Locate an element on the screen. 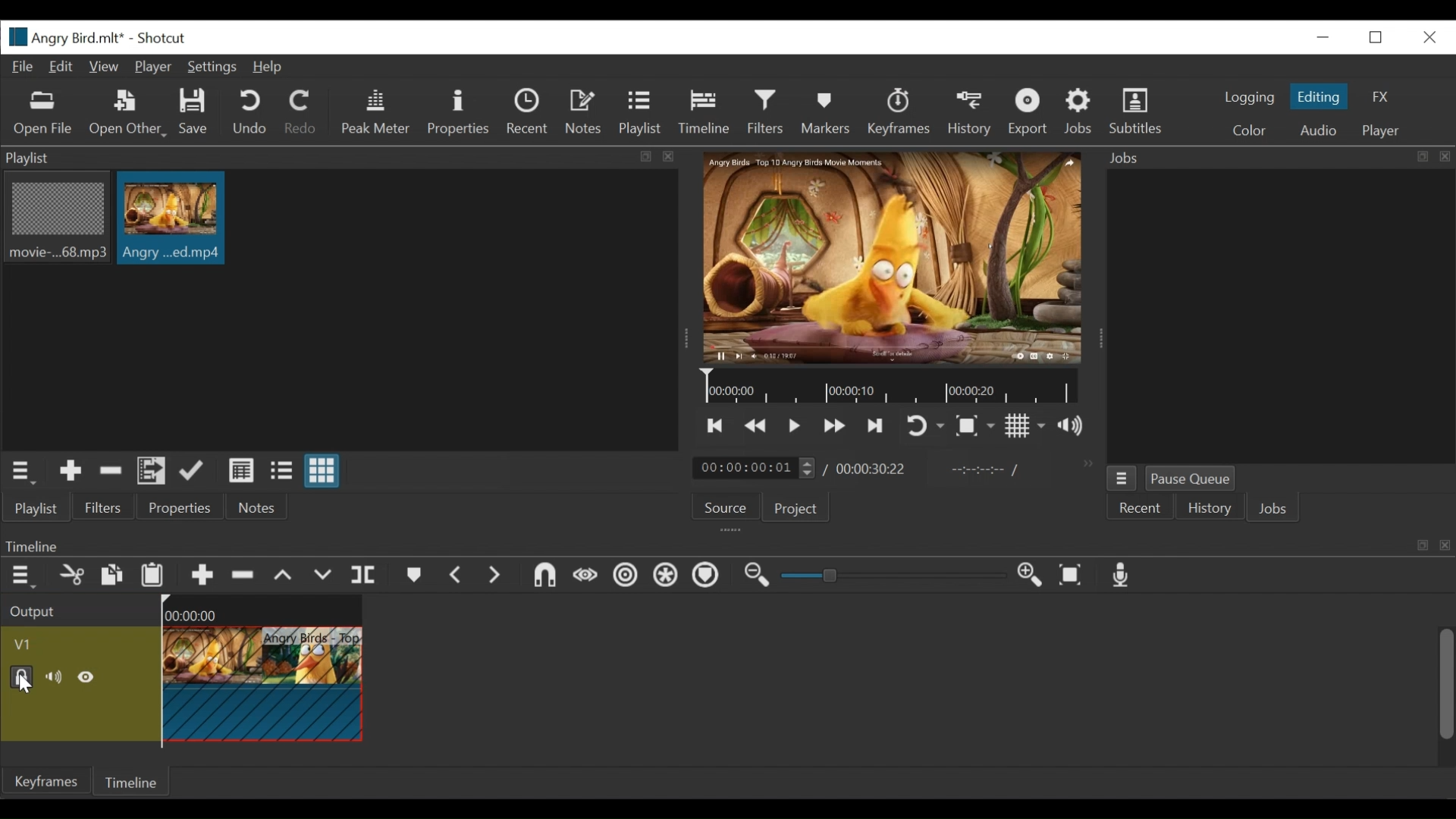 Image resolution: width=1456 pixels, height=819 pixels. Hide is located at coordinates (87, 678).